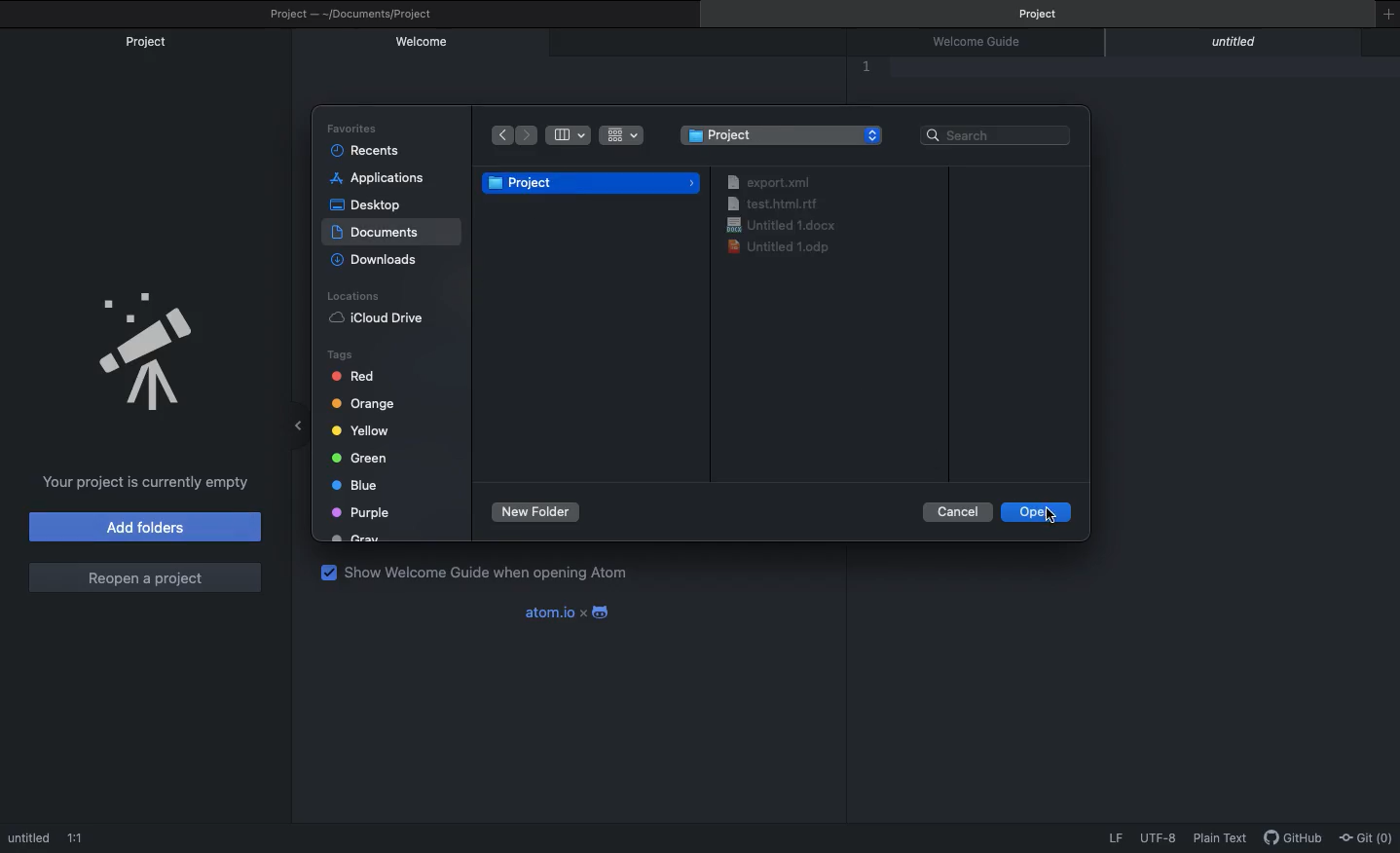  Describe the element at coordinates (894, 71) in the screenshot. I see `Editor` at that location.